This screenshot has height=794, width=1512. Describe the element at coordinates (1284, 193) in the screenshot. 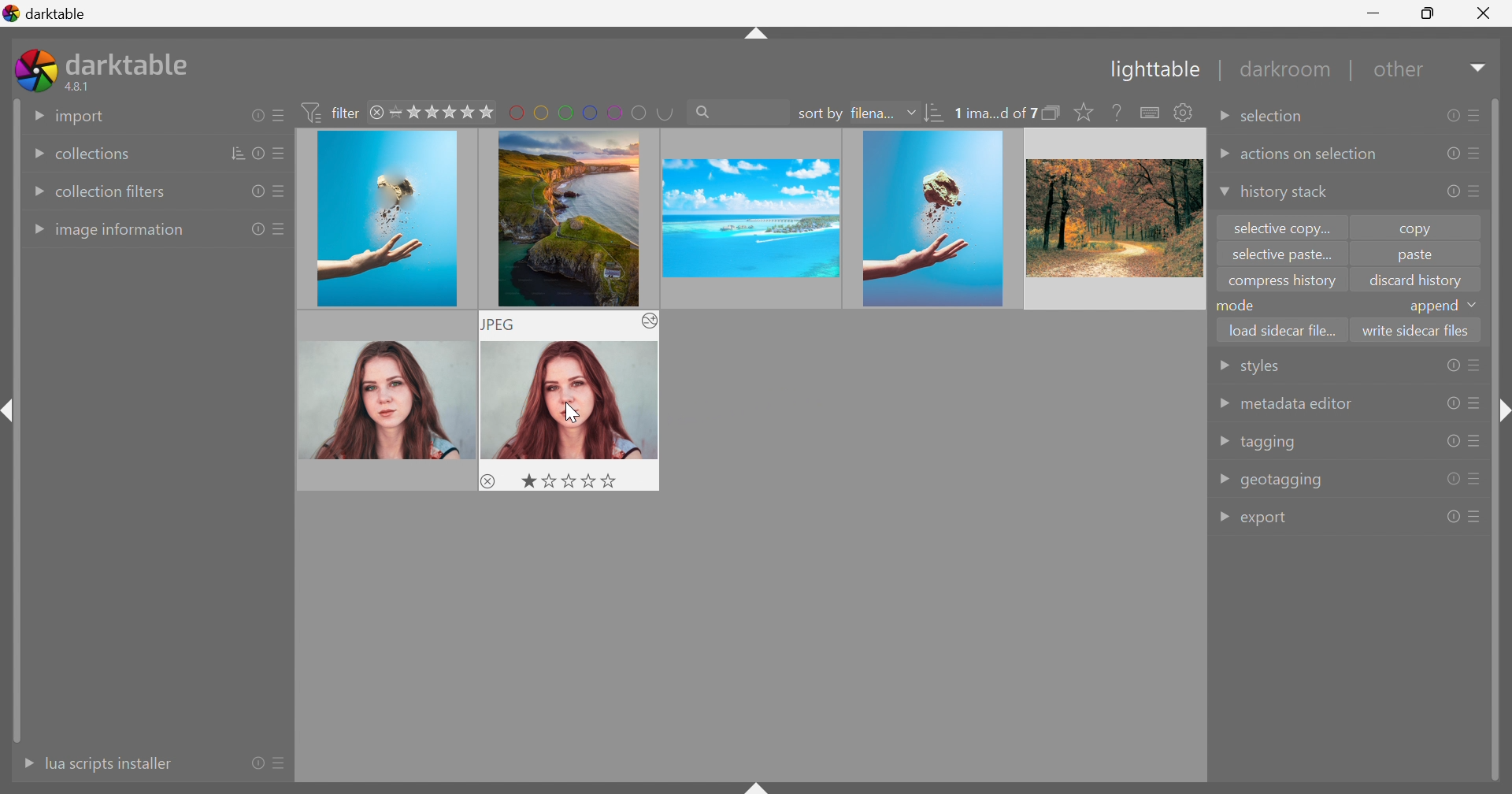

I see `history stack` at that location.